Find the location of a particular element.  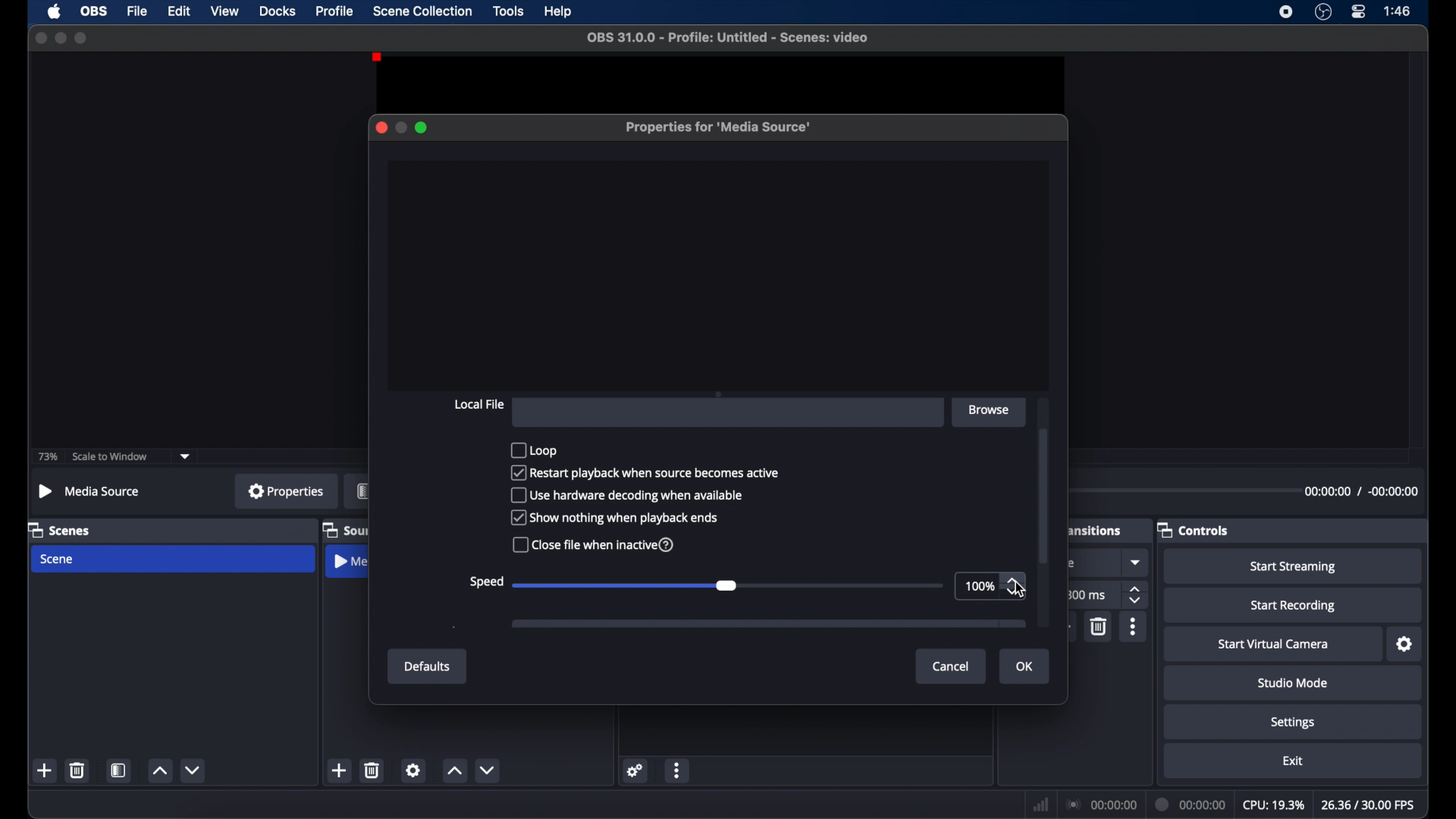

connection is located at coordinates (1101, 803).